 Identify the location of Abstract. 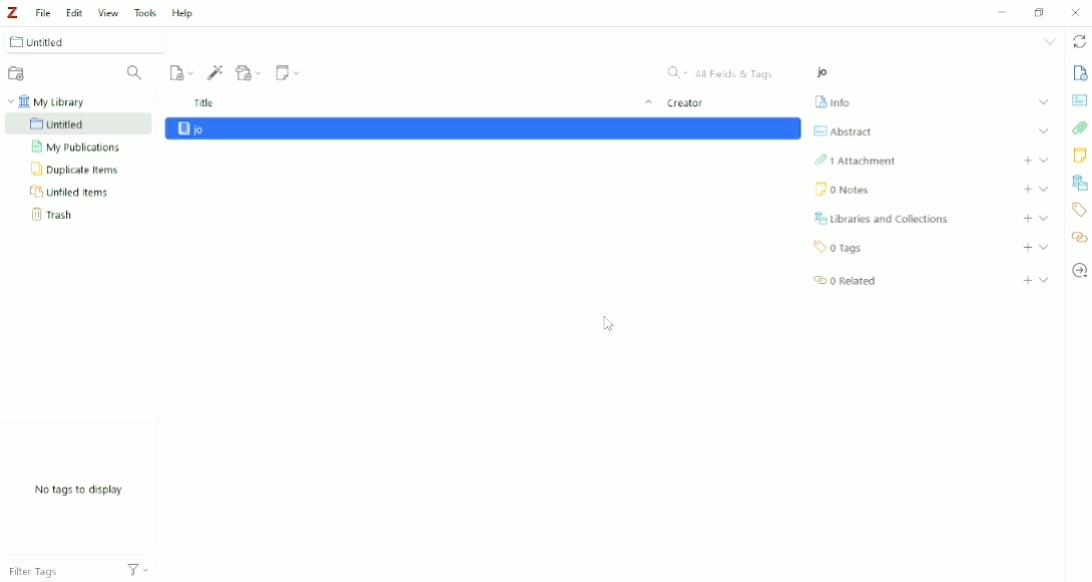
(844, 131).